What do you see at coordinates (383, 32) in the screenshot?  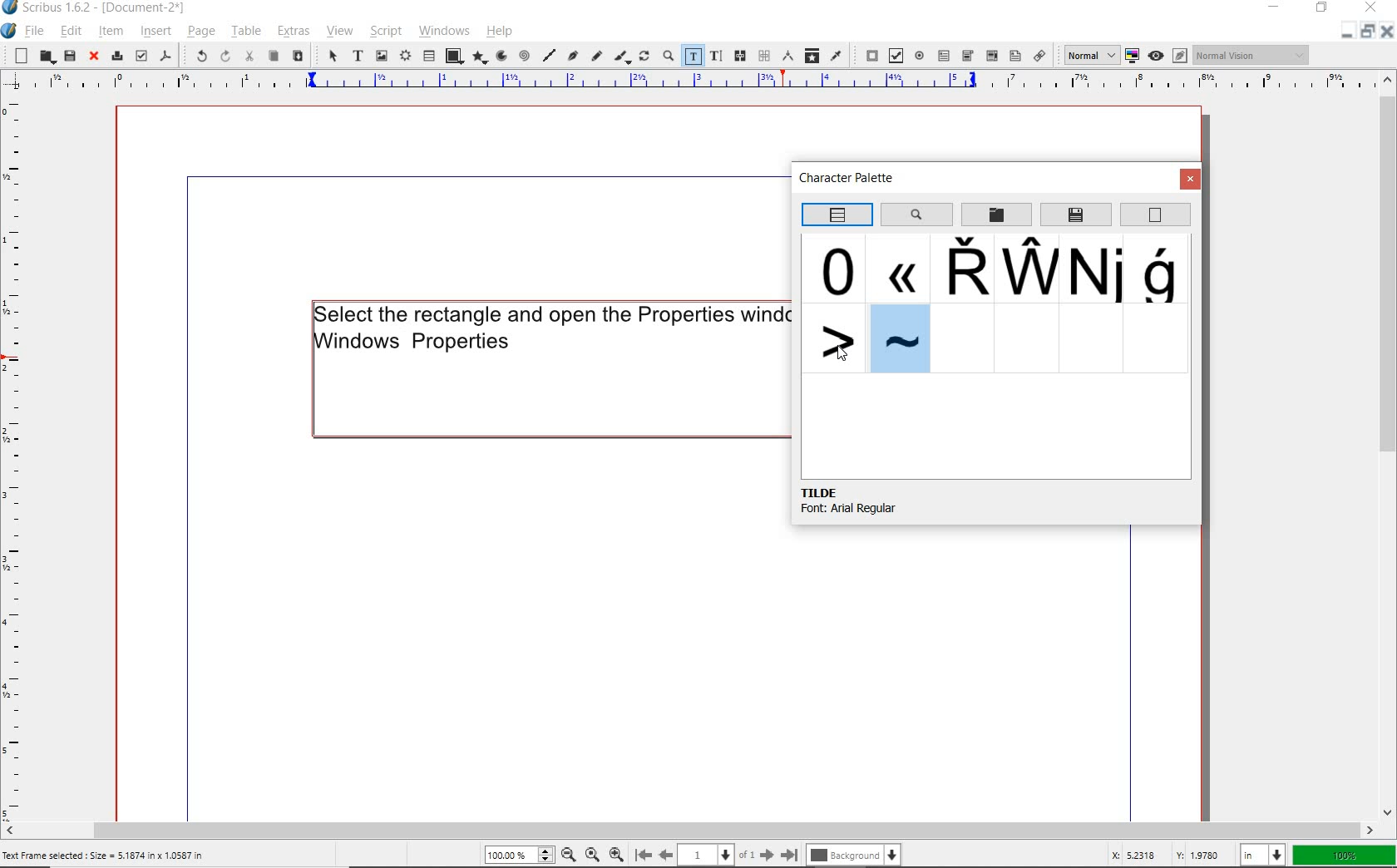 I see `script` at bounding box center [383, 32].